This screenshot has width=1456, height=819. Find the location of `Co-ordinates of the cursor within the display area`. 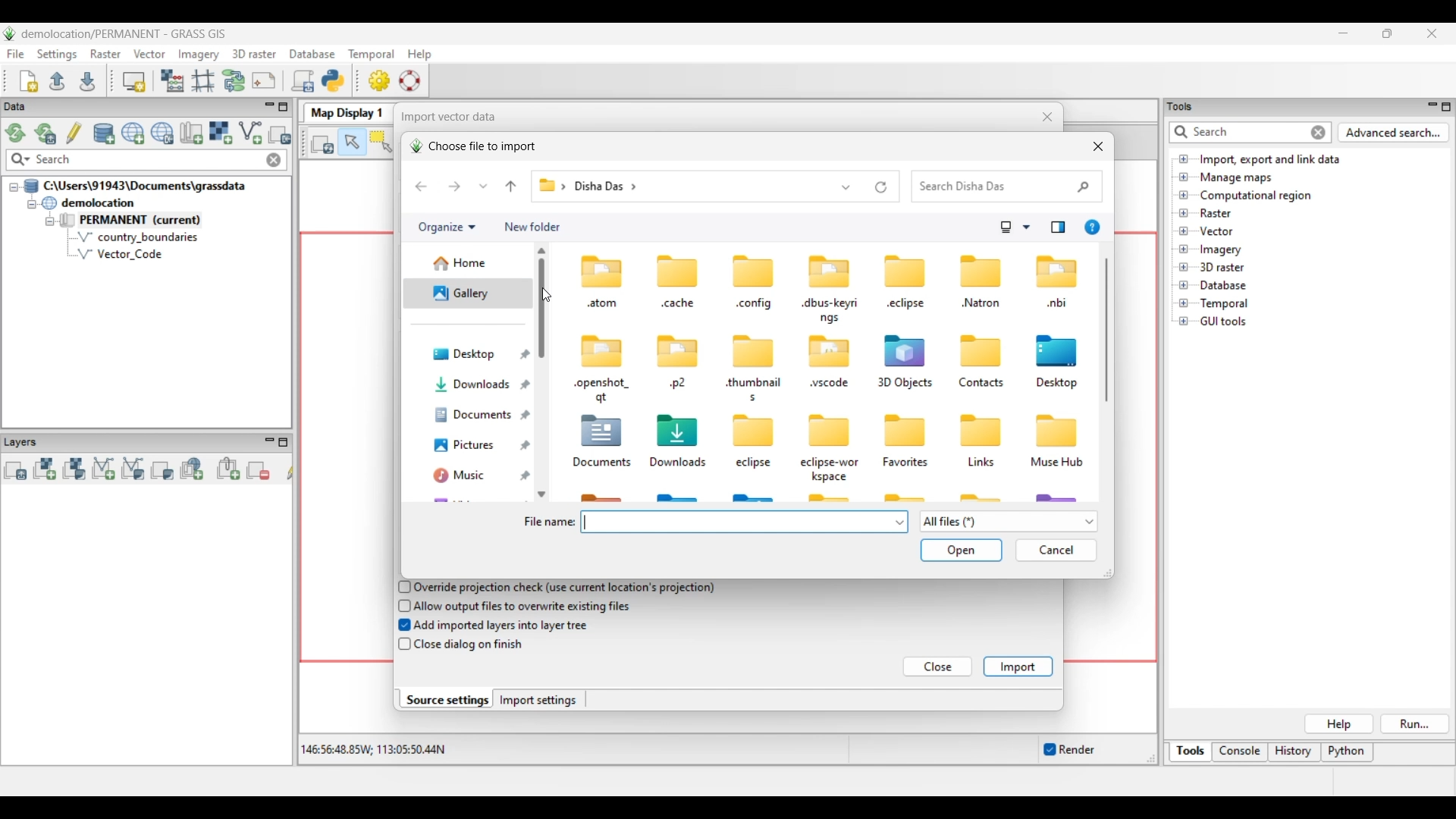

Co-ordinates of the cursor within the display area is located at coordinates (371, 750).